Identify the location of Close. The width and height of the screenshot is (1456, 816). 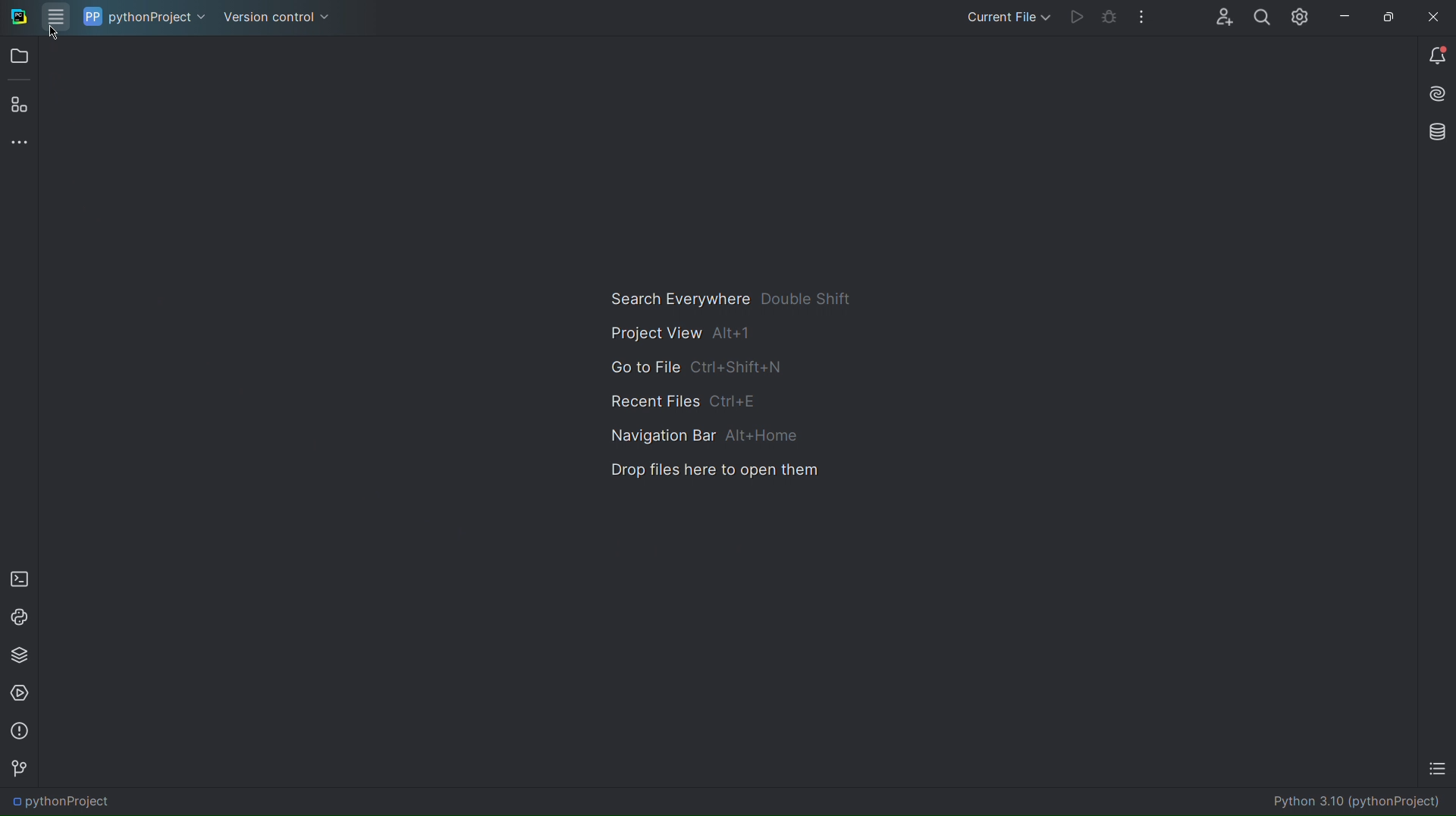
(1436, 15).